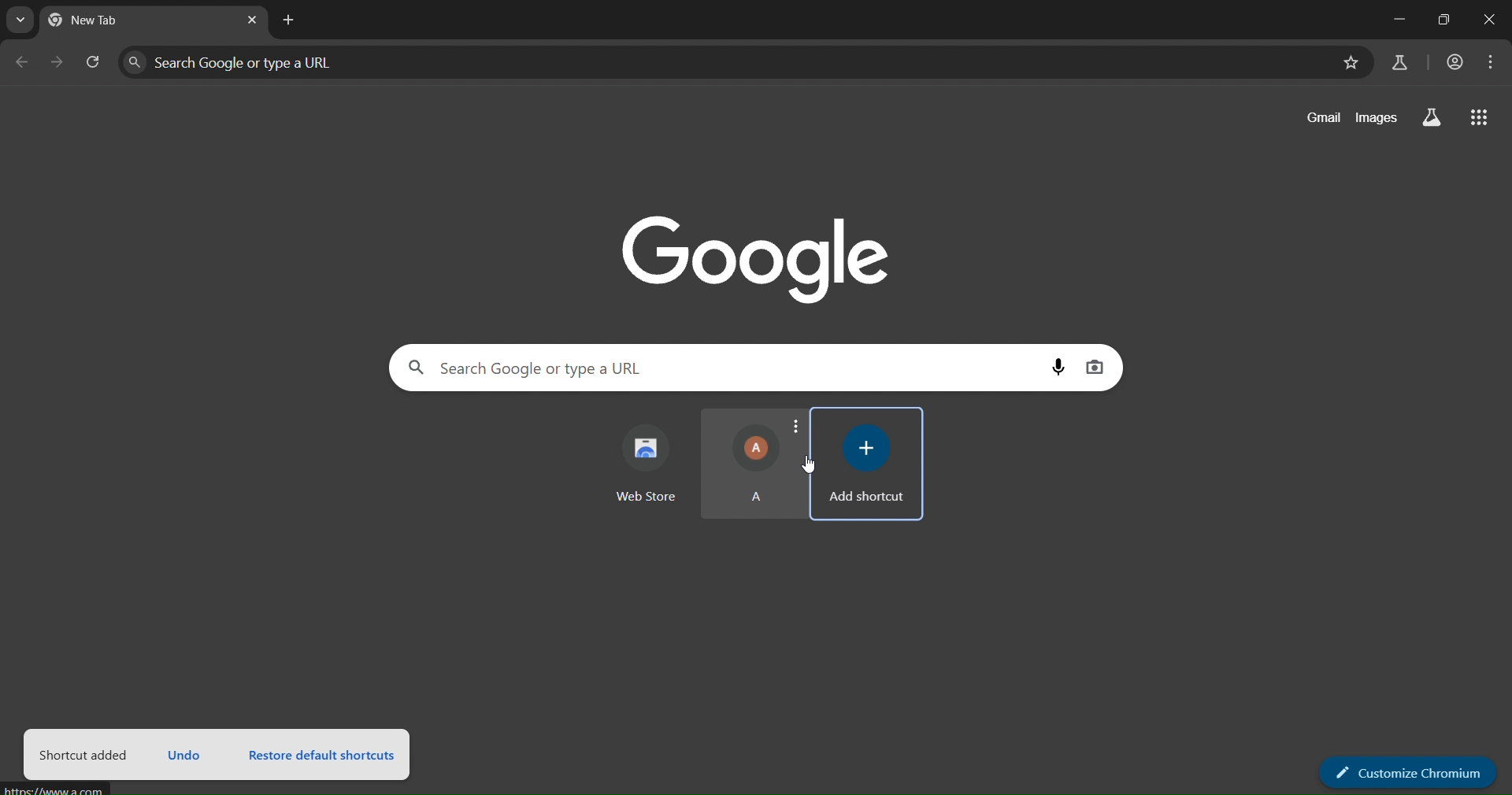  I want to click on image search, so click(1097, 364).